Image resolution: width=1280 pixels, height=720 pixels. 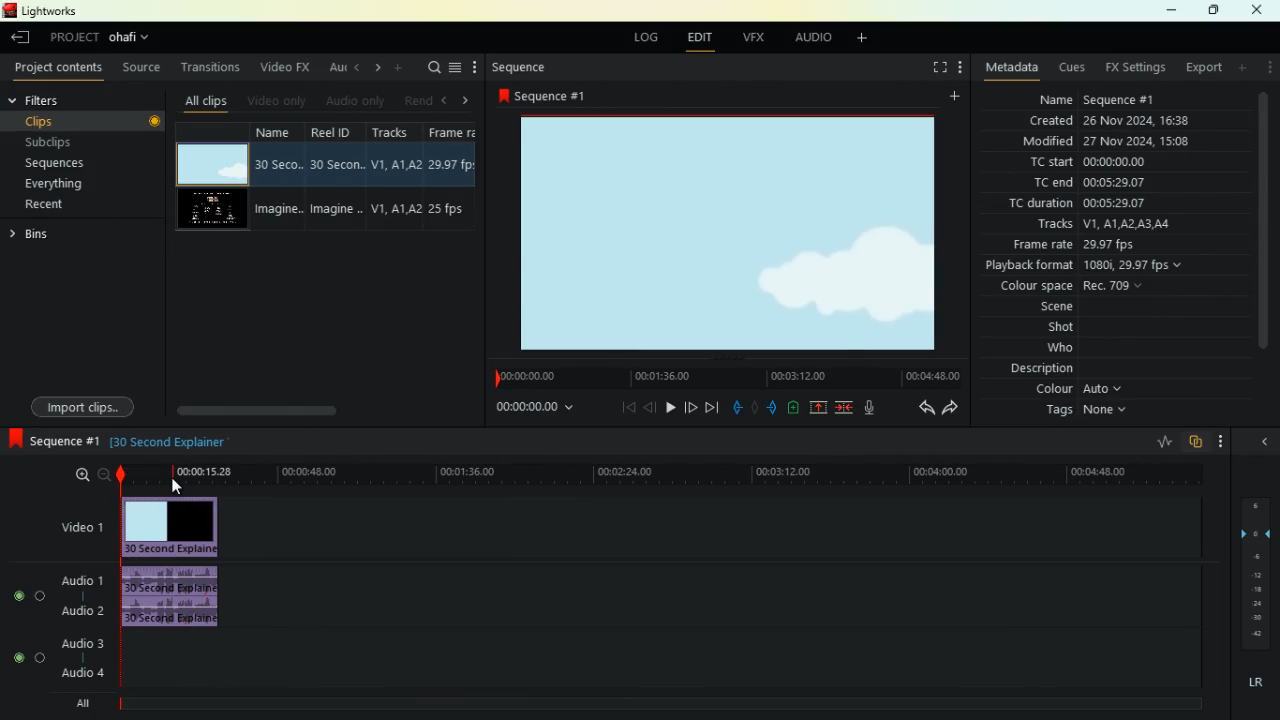 What do you see at coordinates (543, 95) in the screenshot?
I see `sequence` at bounding box center [543, 95].